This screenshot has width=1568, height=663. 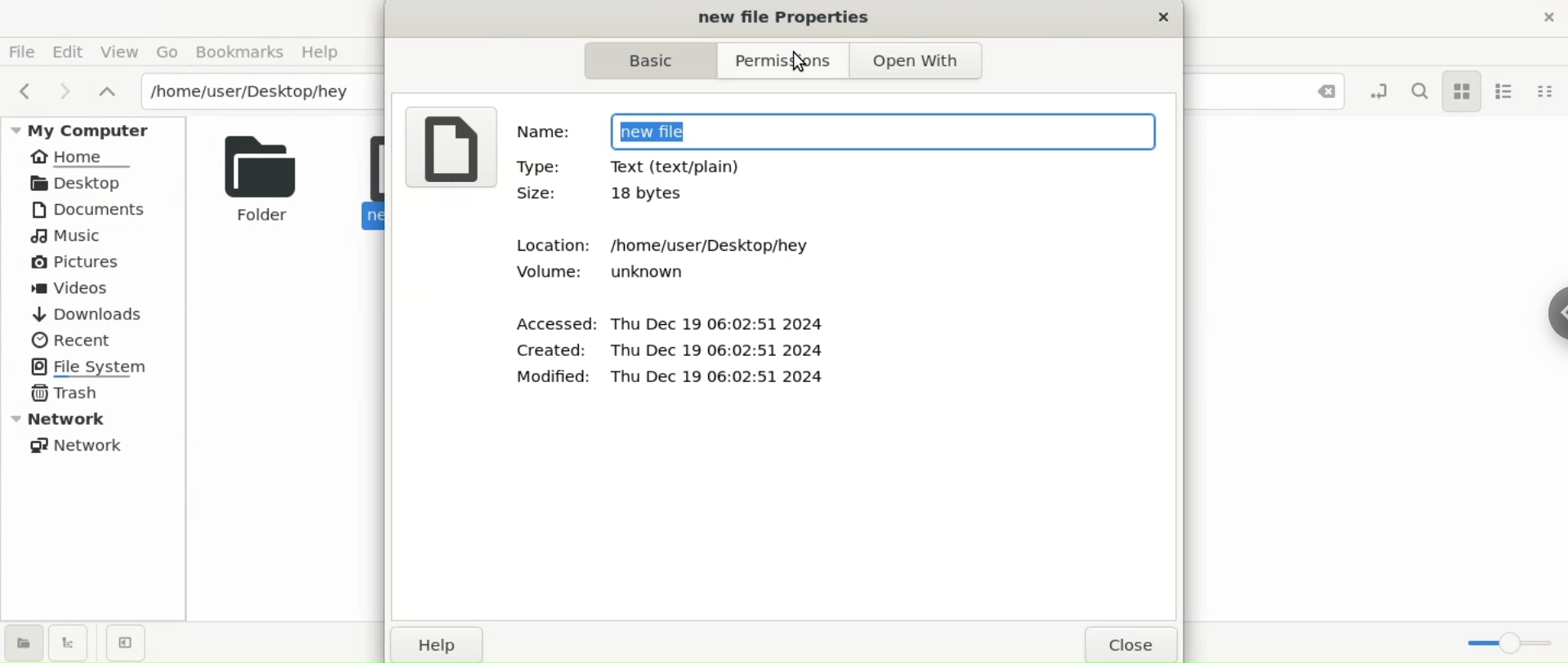 What do you see at coordinates (670, 322) in the screenshot?
I see `Accessed: Thu Dec 19 06:02:51 2024` at bounding box center [670, 322].